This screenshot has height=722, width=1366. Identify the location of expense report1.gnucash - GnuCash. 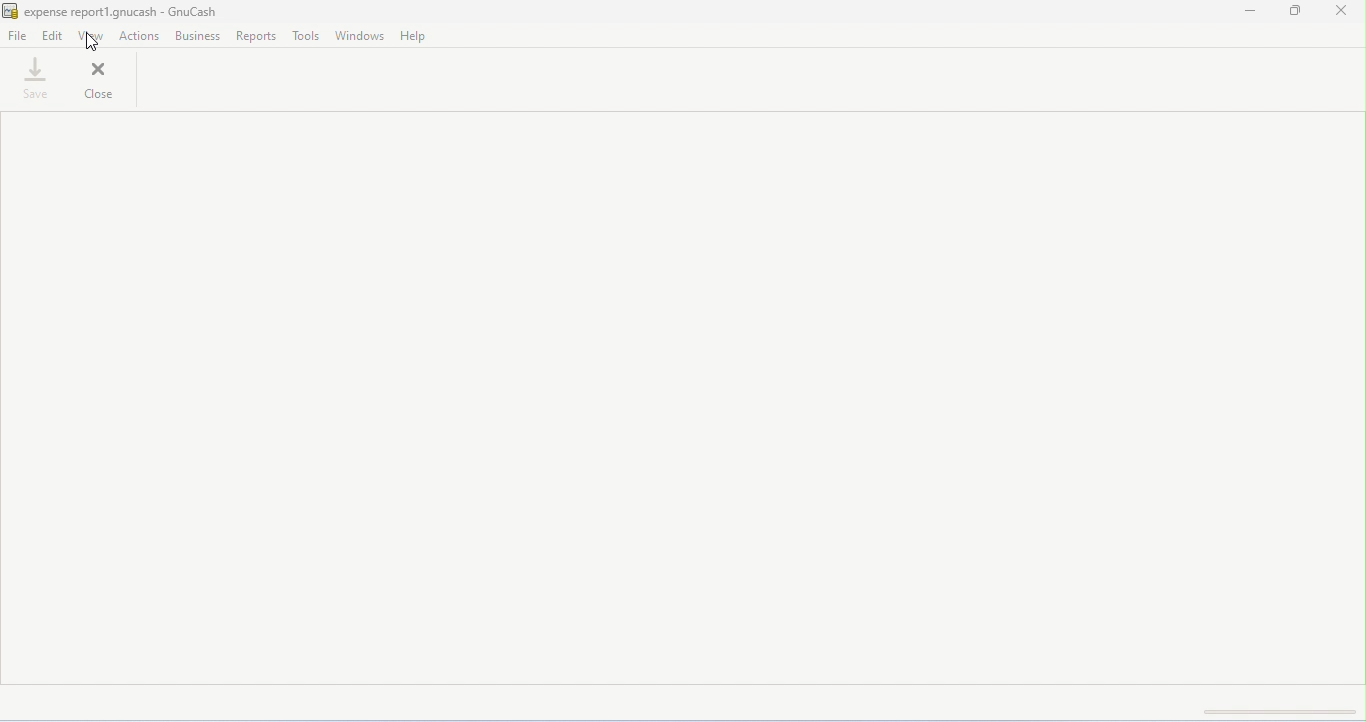
(126, 11).